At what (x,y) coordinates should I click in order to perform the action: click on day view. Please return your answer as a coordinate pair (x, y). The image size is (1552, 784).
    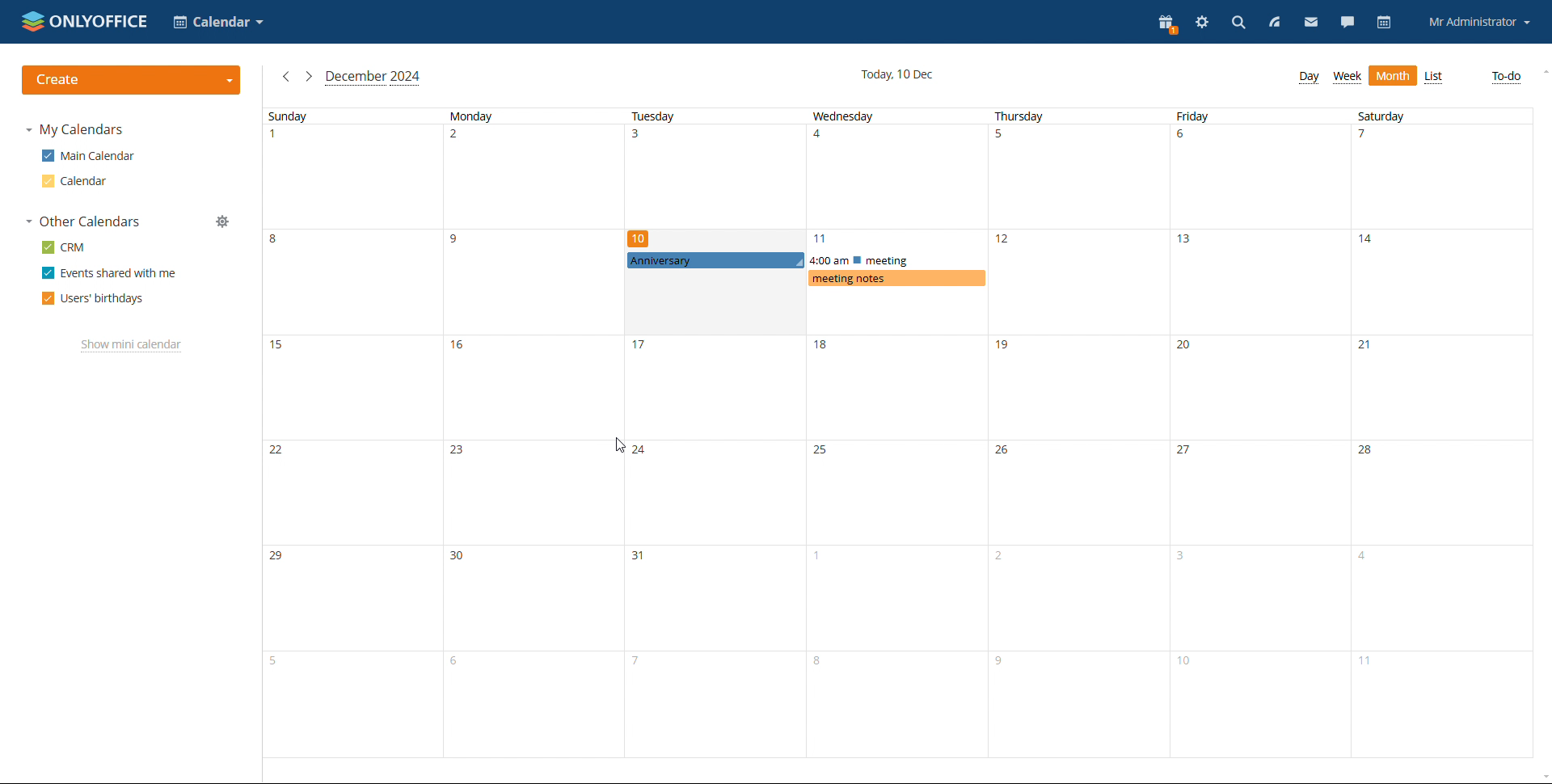
    Looking at the image, I should click on (1309, 77).